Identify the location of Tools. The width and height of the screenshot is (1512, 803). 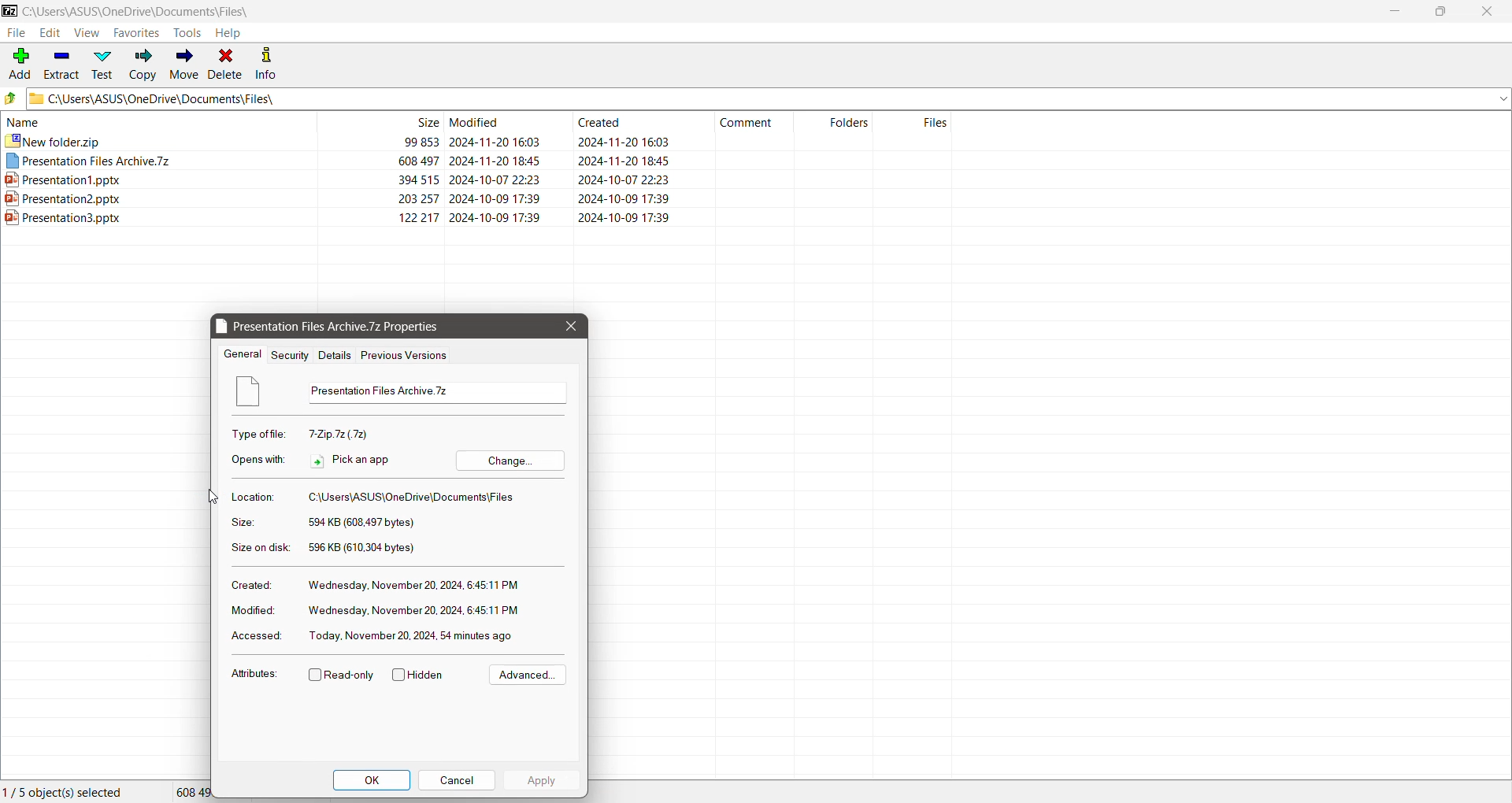
(187, 32).